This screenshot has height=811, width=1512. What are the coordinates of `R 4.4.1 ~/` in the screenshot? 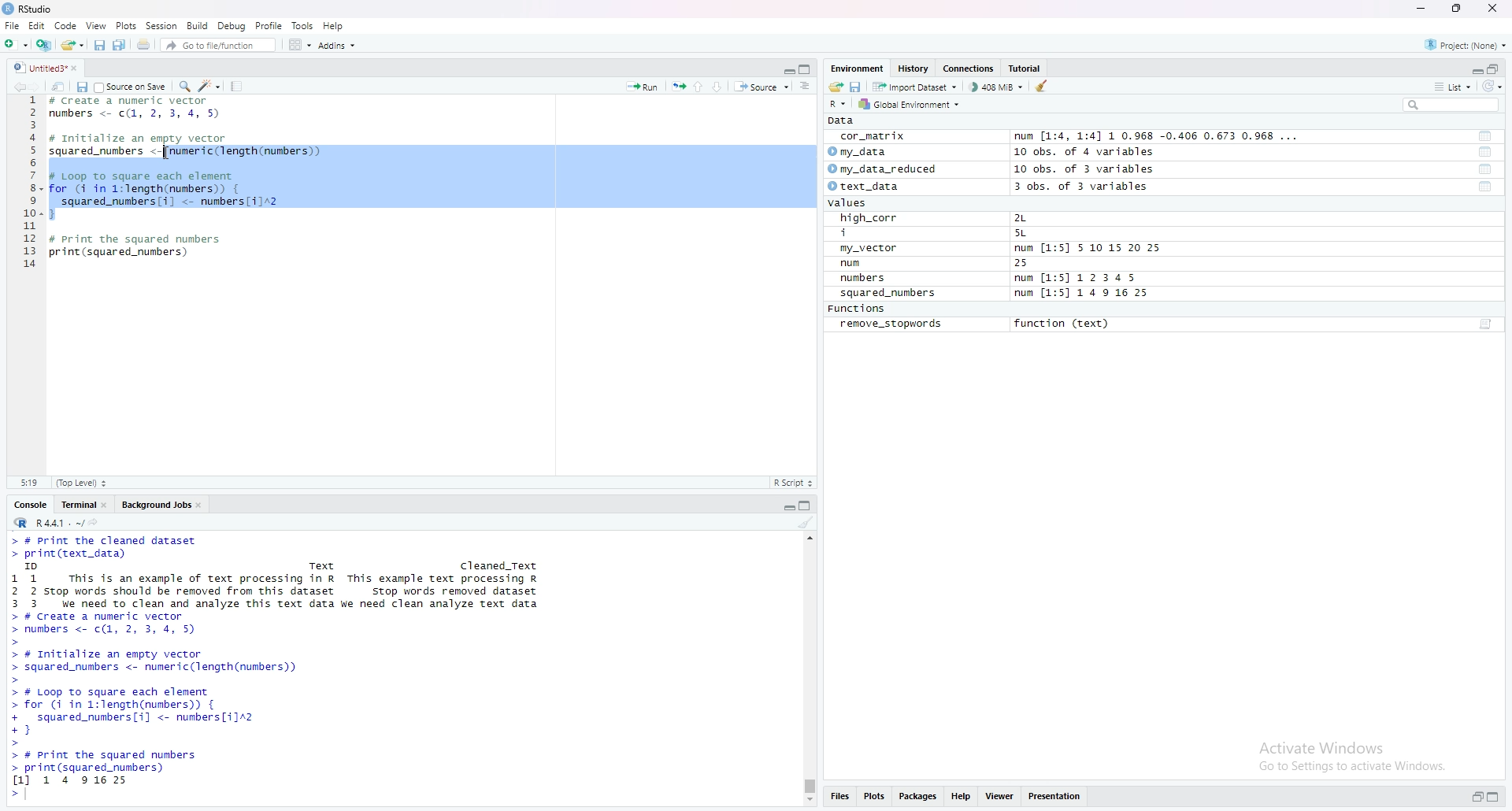 It's located at (46, 521).